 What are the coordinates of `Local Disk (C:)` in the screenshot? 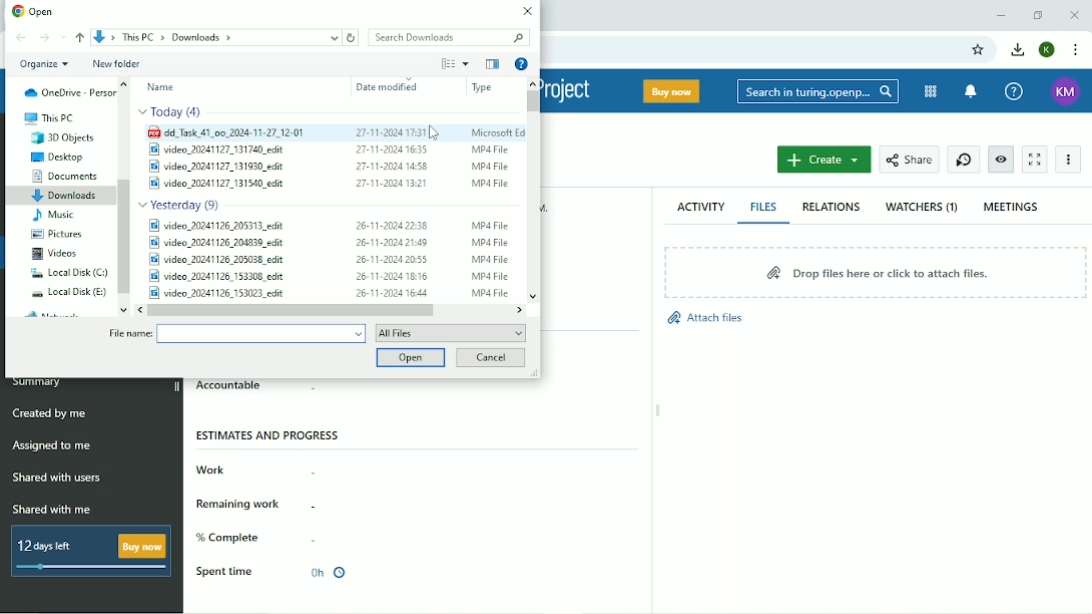 It's located at (68, 273).